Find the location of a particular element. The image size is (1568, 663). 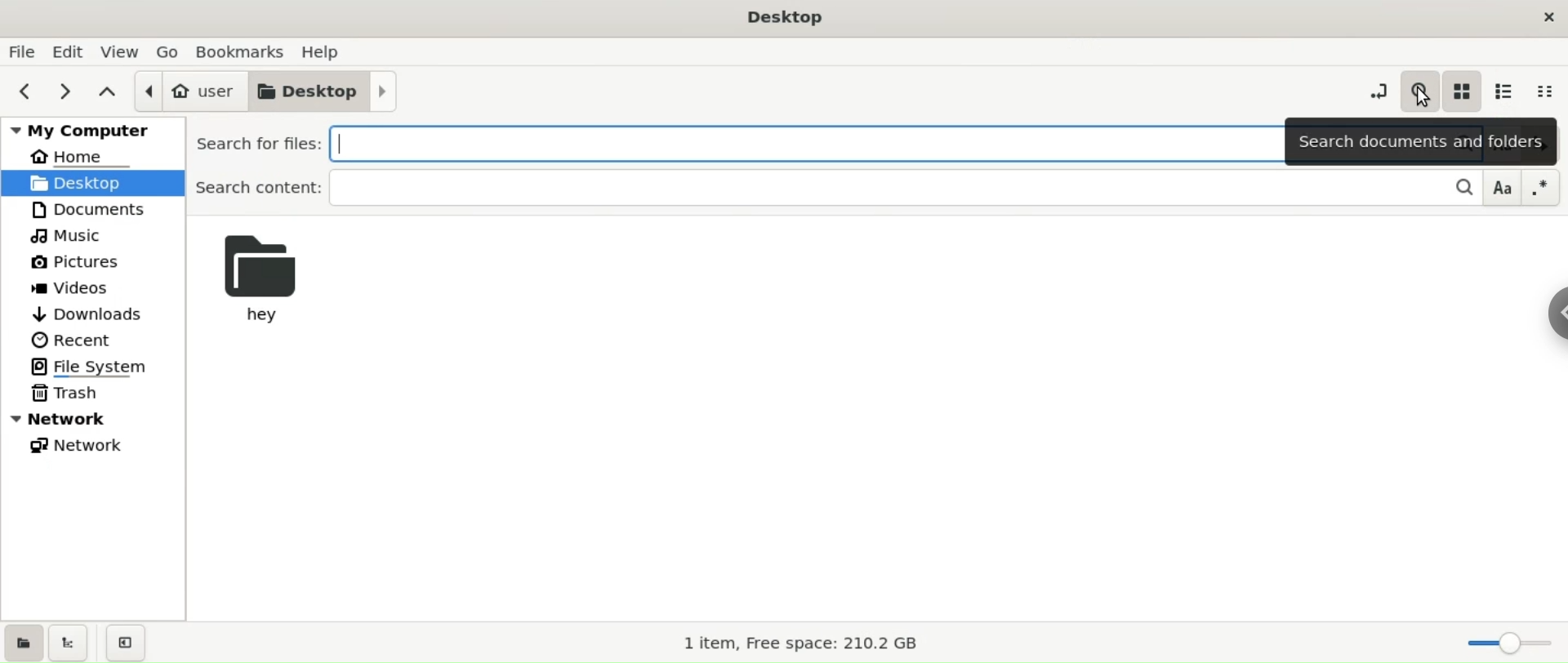

view is located at coordinates (118, 51).